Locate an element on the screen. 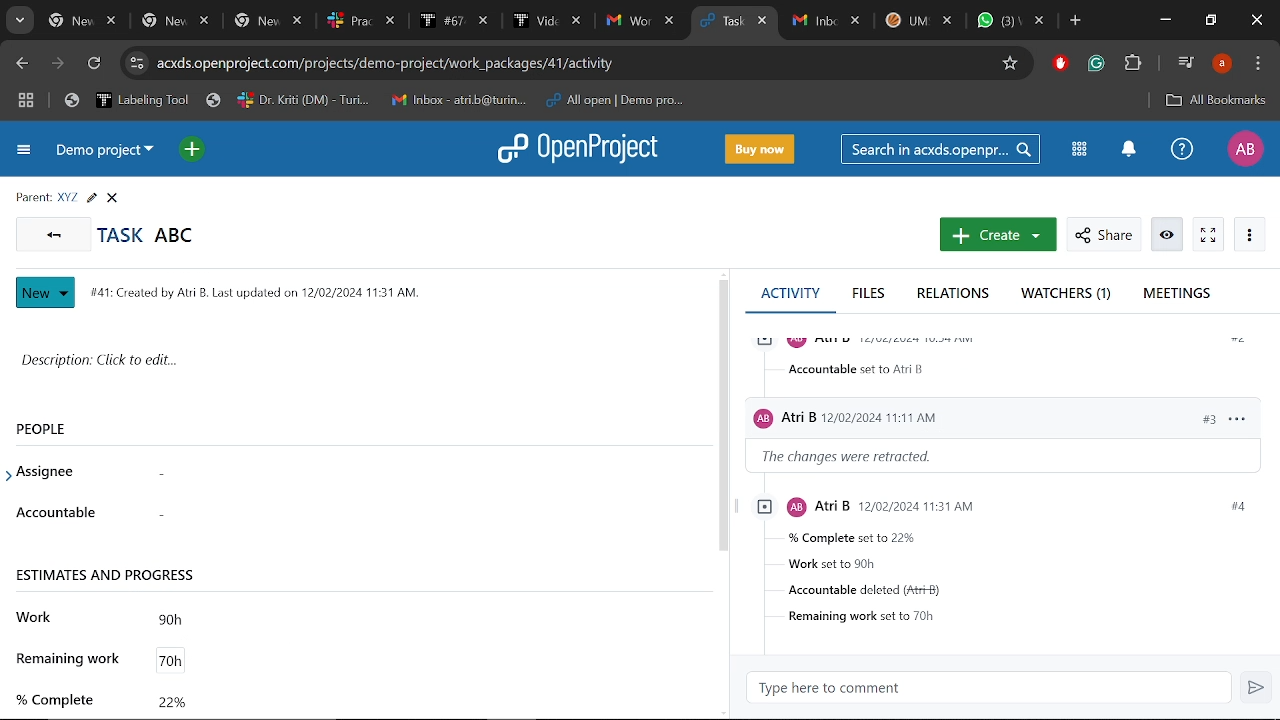  Space for writting description is located at coordinates (366, 364).